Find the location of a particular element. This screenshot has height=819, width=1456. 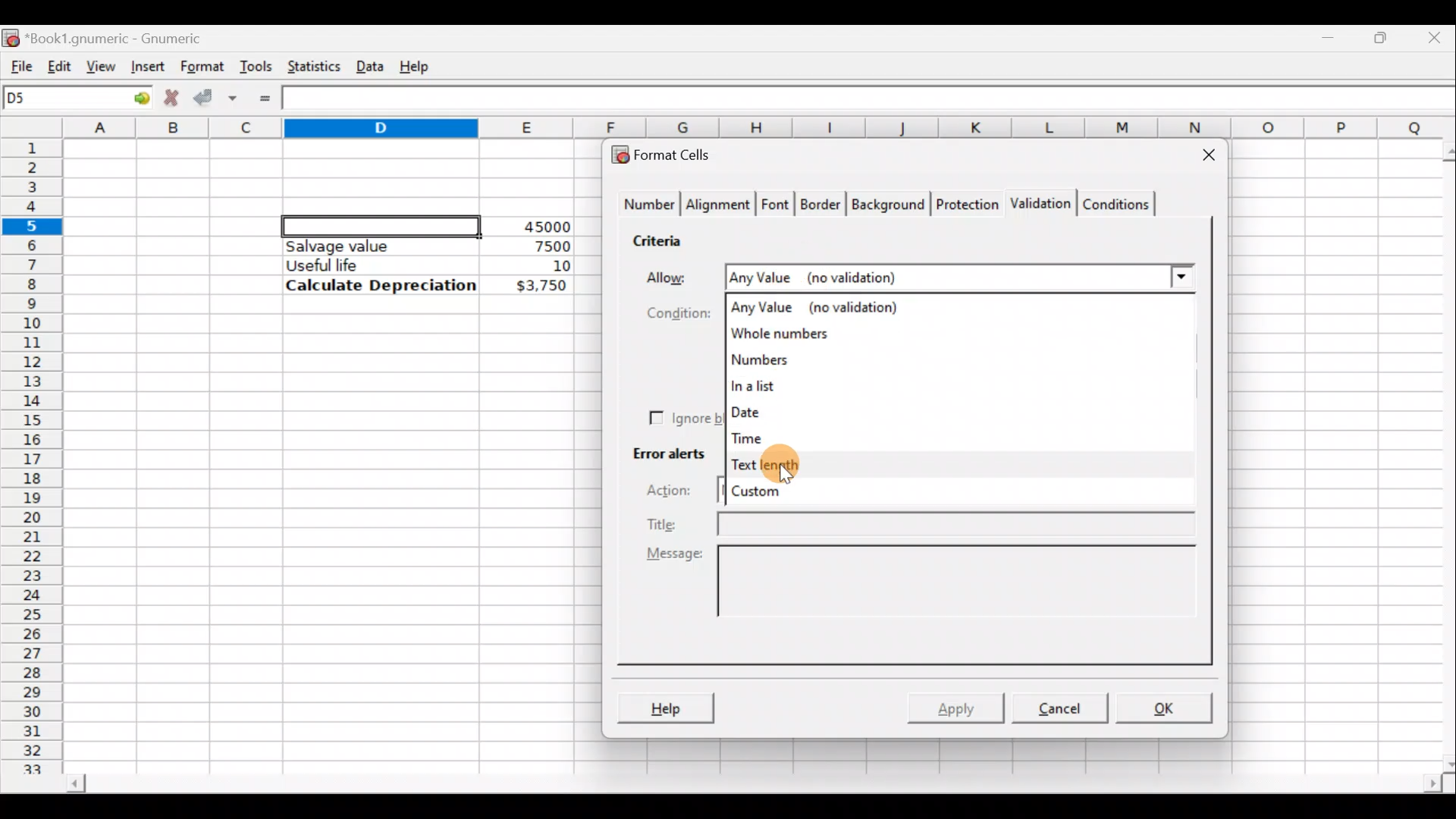

Data is located at coordinates (369, 63).